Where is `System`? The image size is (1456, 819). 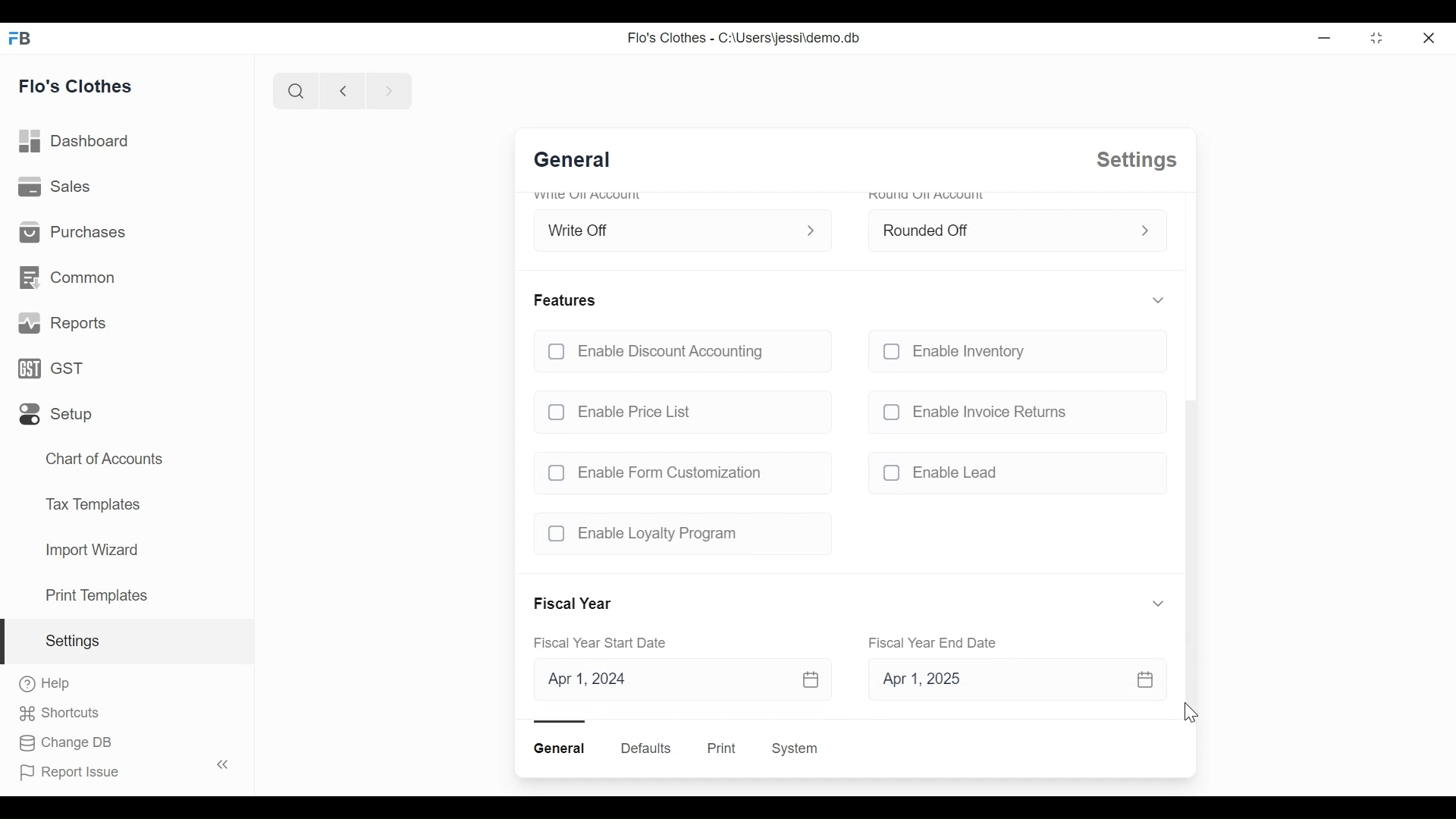
System is located at coordinates (798, 748).